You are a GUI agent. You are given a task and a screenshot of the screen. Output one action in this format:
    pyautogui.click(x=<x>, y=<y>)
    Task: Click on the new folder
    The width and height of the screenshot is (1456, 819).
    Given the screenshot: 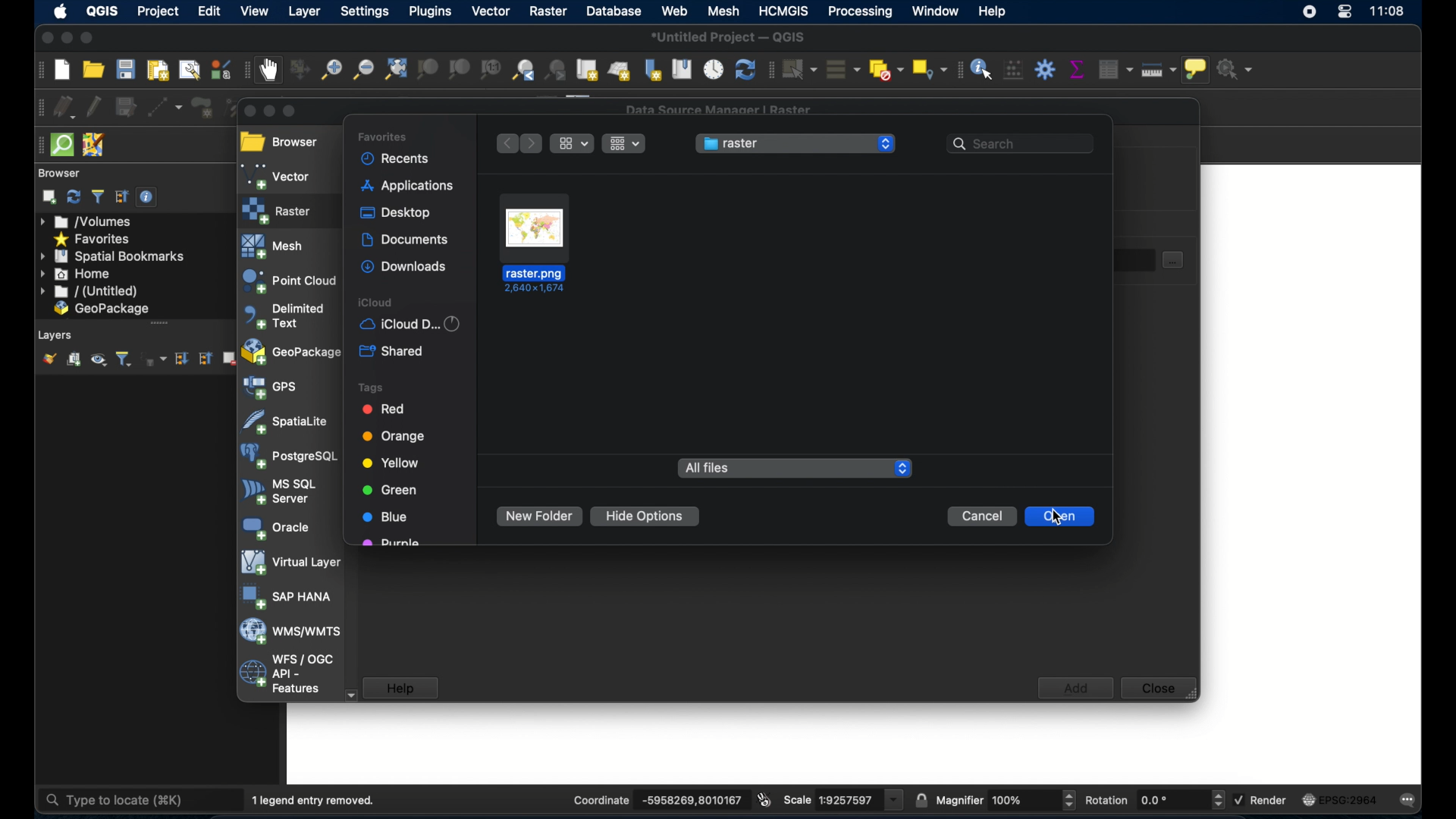 What is the action you would take?
    pyautogui.click(x=536, y=515)
    